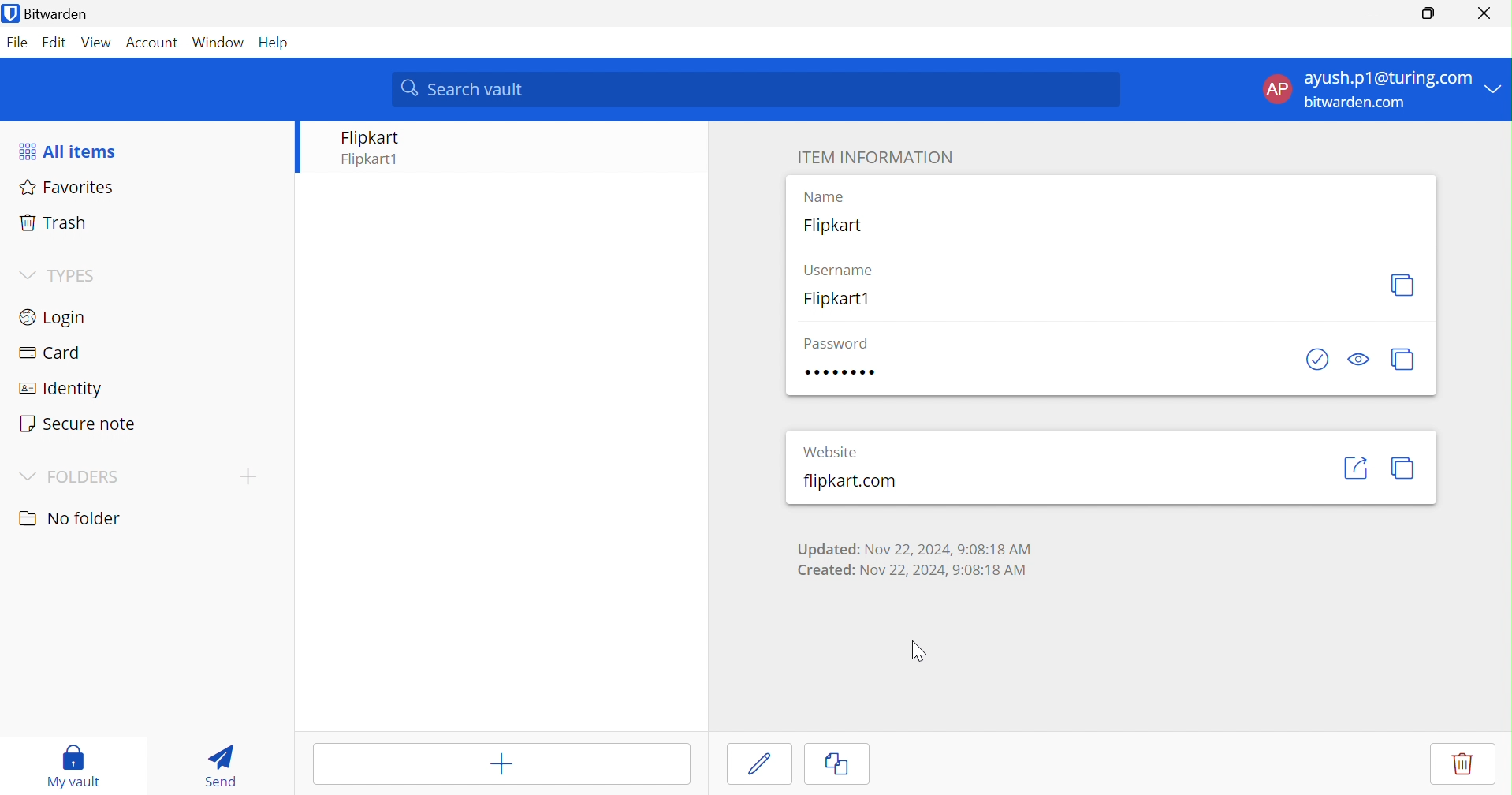 This screenshot has width=1512, height=795. What do you see at coordinates (371, 137) in the screenshot?
I see `Flipkart` at bounding box center [371, 137].